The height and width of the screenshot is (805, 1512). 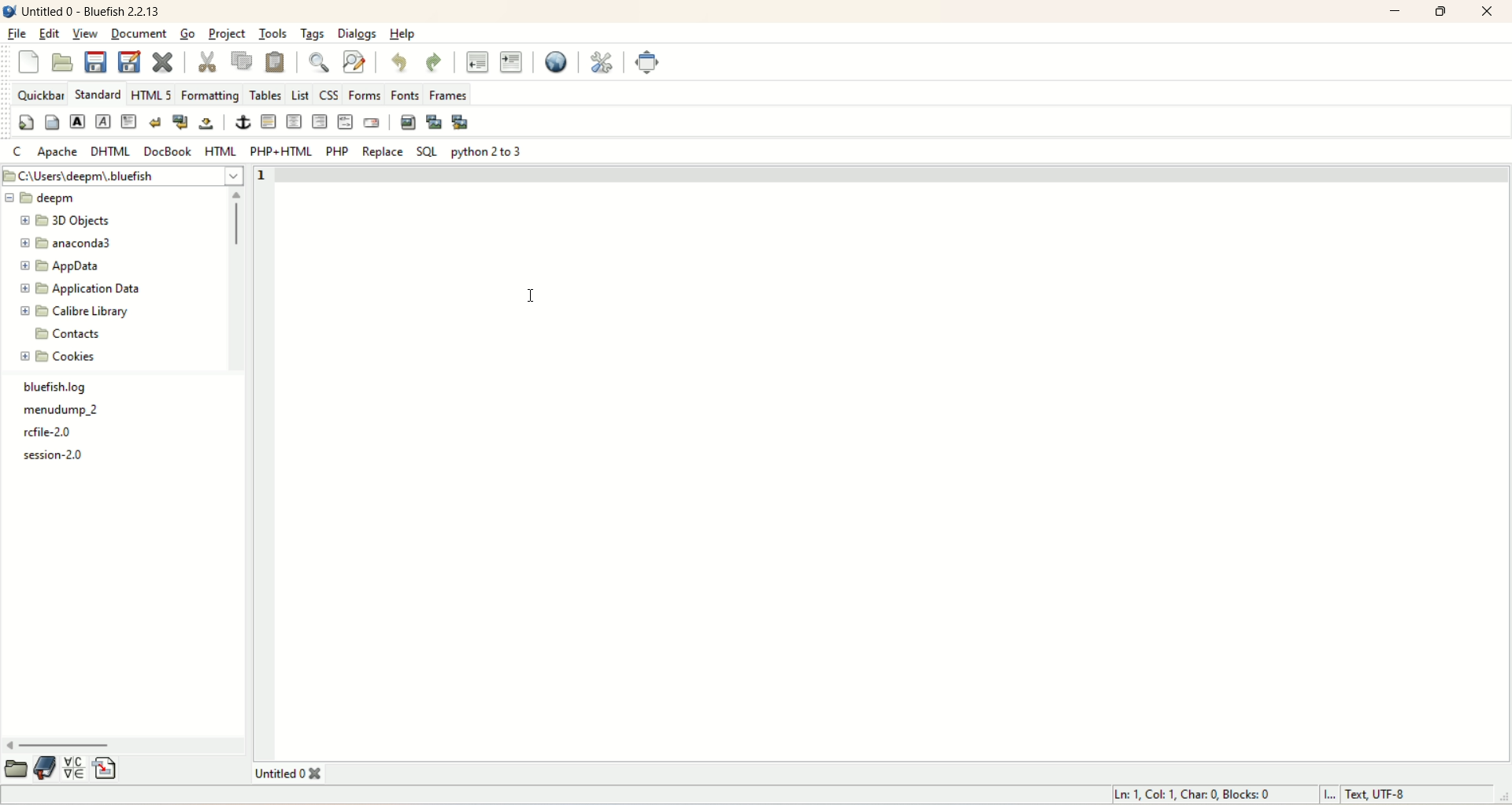 I want to click on cut, so click(x=206, y=60).